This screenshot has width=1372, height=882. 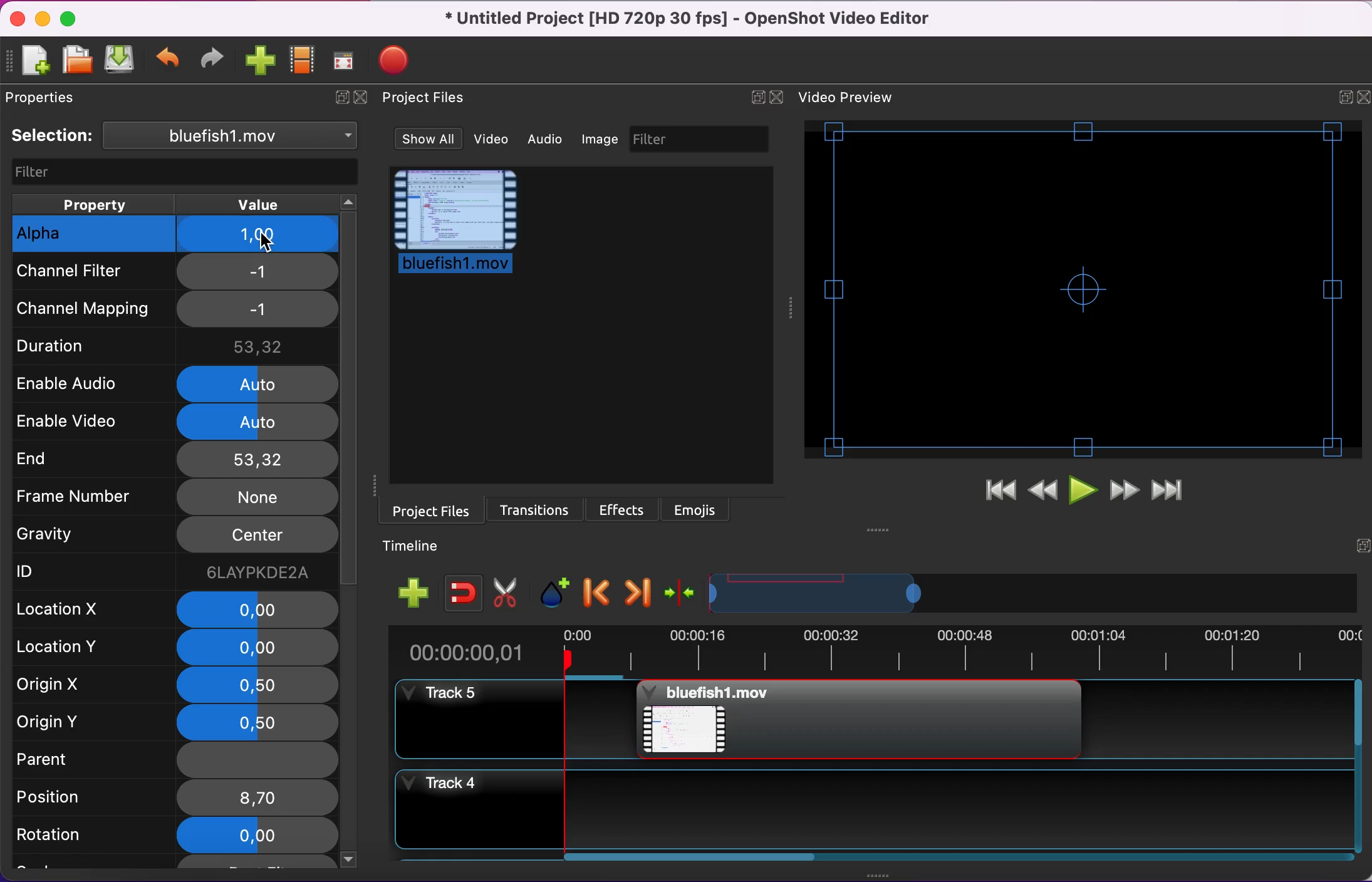 I want to click on close, so click(x=783, y=98).